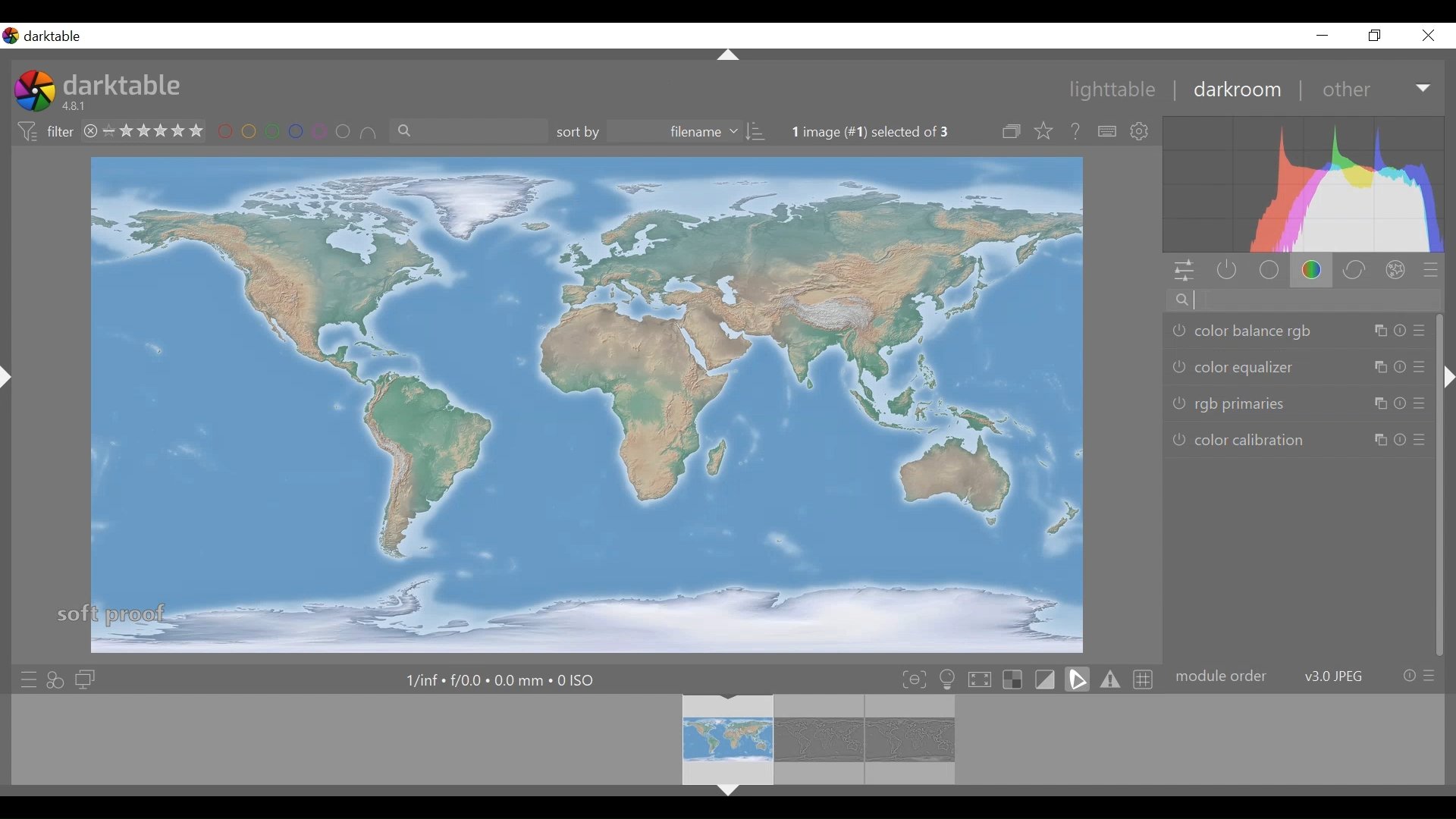  What do you see at coordinates (33, 93) in the screenshot?
I see `Darktable Desktop Icon` at bounding box center [33, 93].